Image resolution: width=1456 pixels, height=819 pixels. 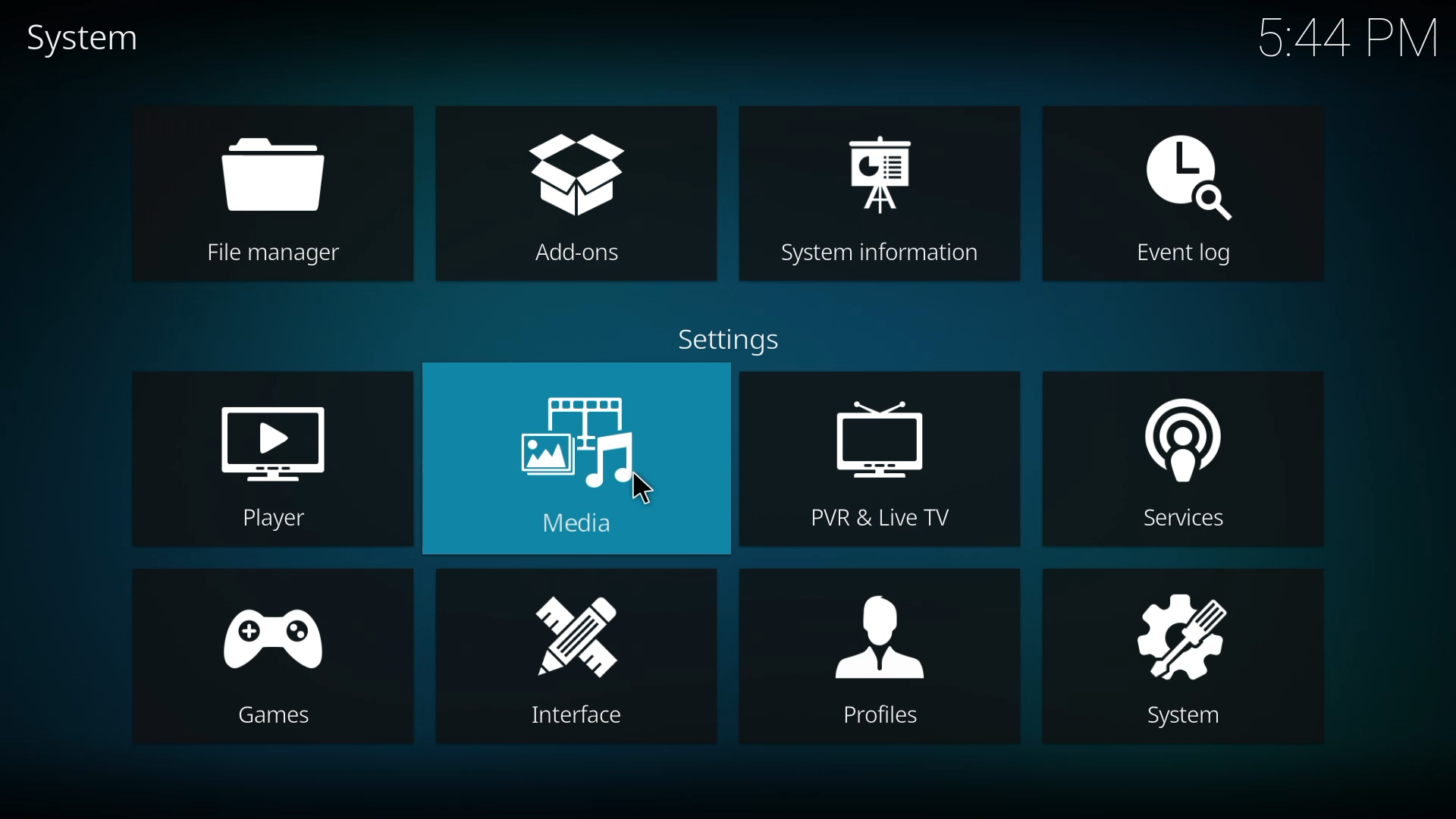 I want to click on profiles, so click(x=885, y=638).